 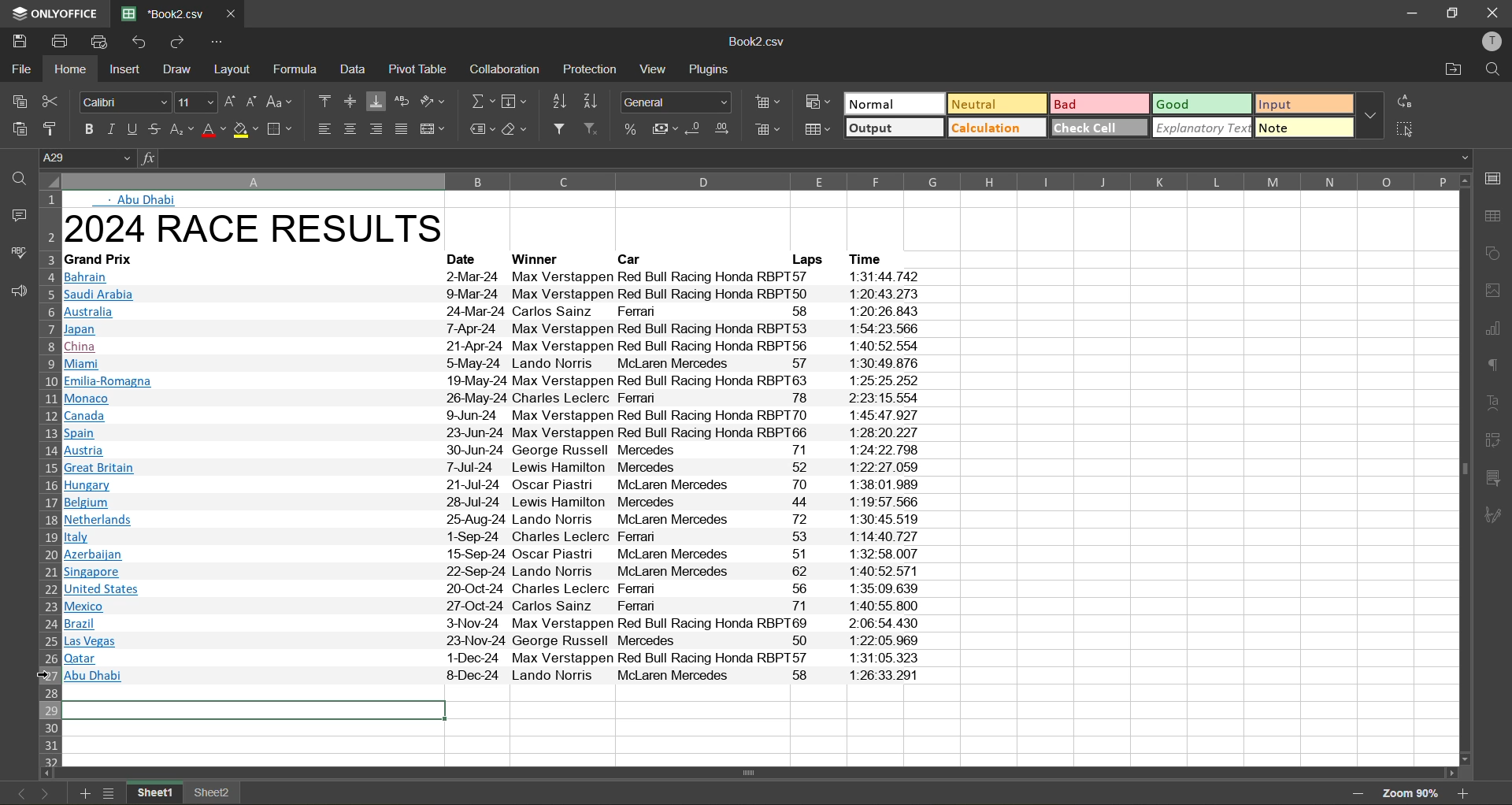 What do you see at coordinates (495, 329) in the screenshot?
I see `text info` at bounding box center [495, 329].